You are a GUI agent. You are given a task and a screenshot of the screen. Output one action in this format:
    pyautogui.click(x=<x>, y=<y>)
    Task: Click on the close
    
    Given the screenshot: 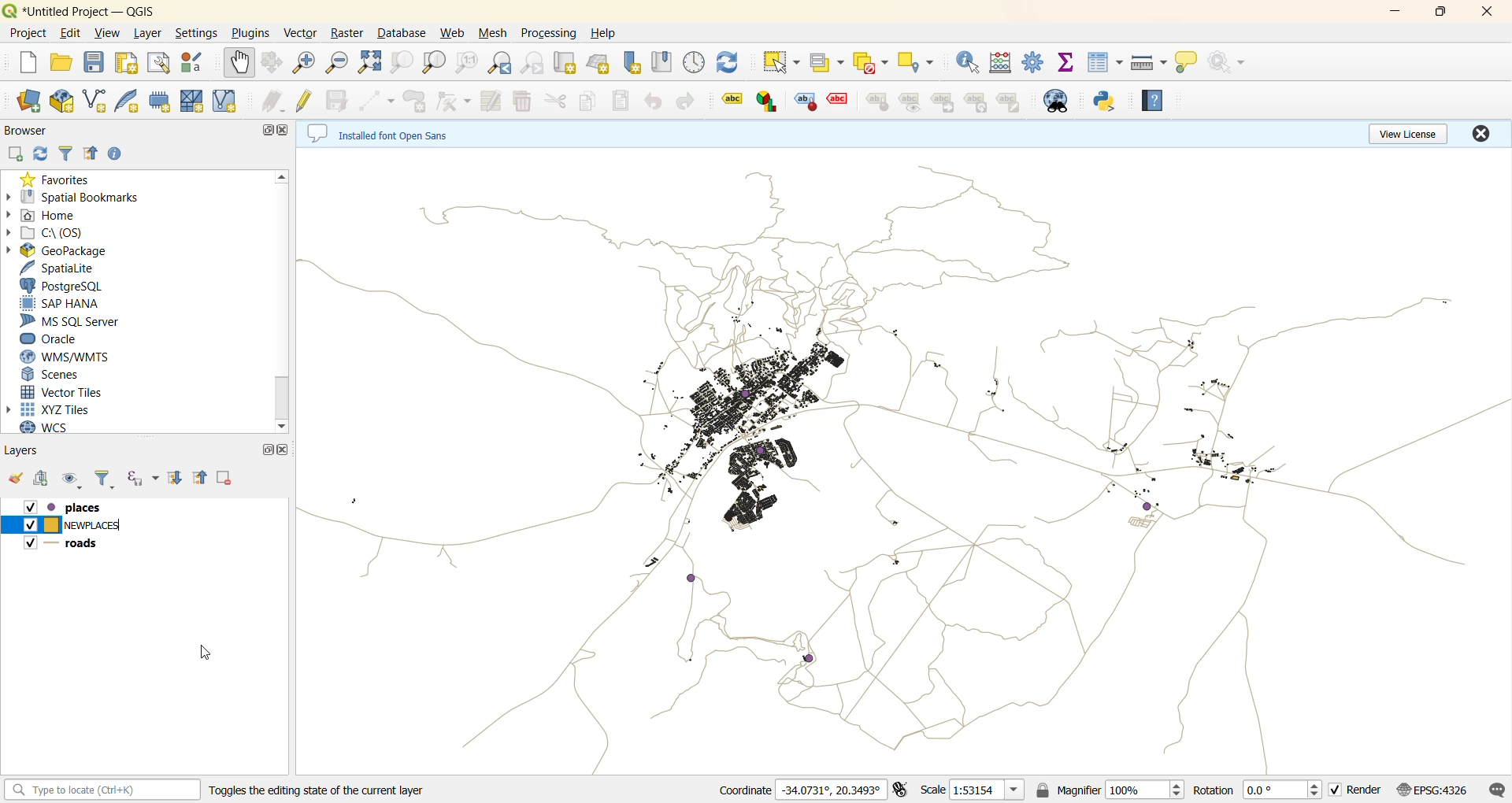 What is the action you would take?
    pyautogui.click(x=1479, y=132)
    